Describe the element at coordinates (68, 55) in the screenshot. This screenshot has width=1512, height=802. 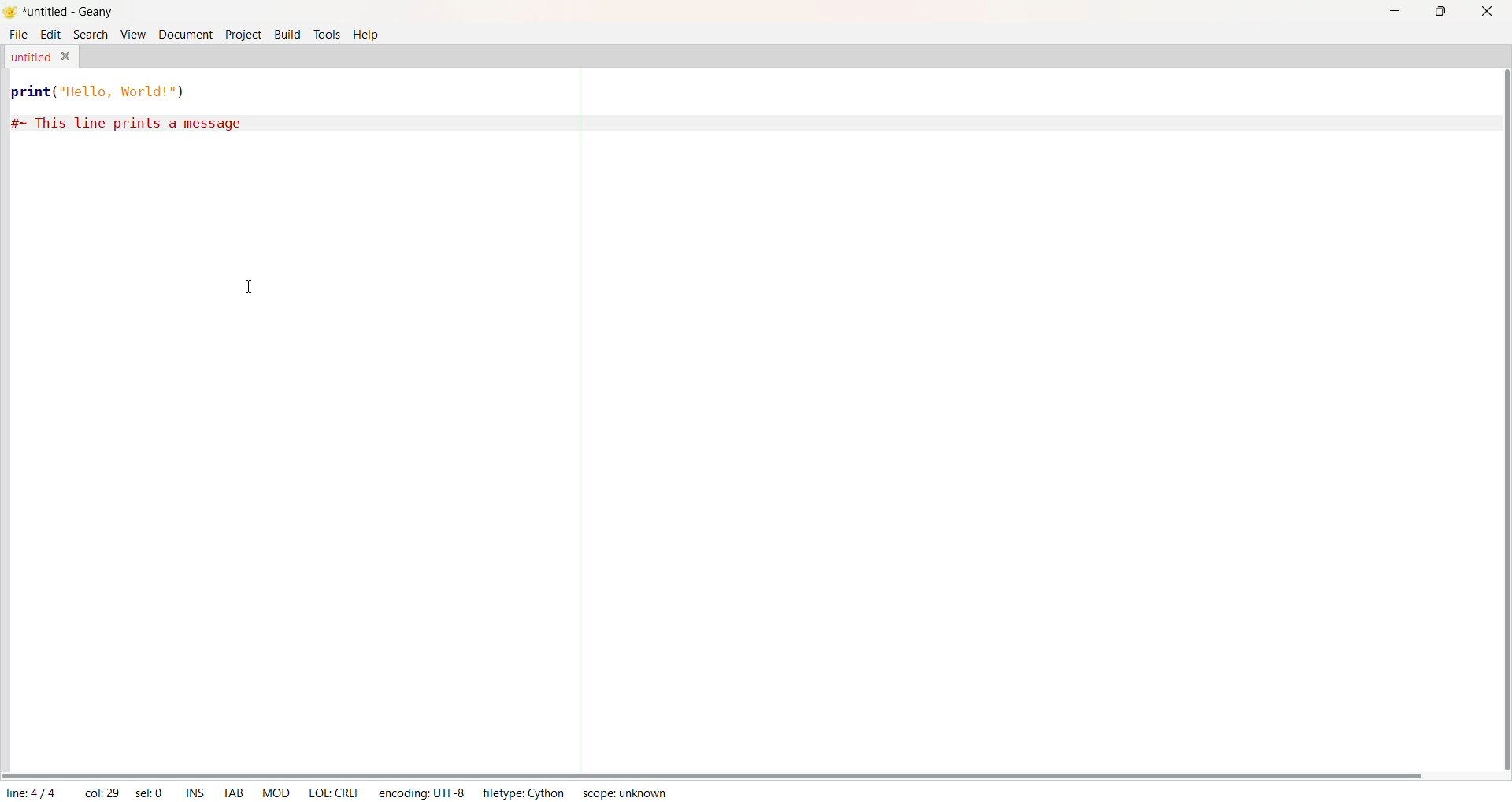
I see `Close` at that location.